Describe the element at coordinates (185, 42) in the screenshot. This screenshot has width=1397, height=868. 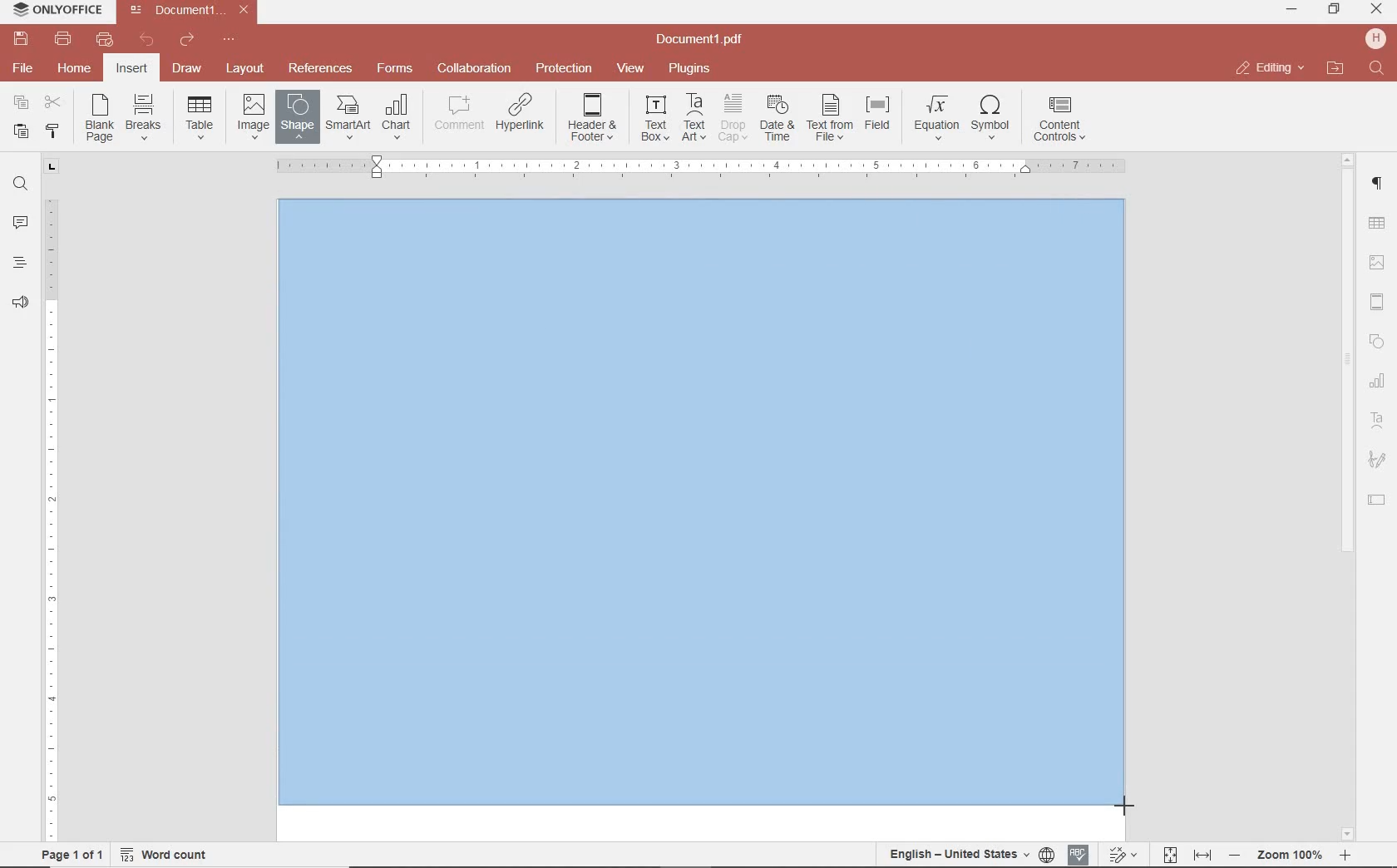
I see `redo` at that location.